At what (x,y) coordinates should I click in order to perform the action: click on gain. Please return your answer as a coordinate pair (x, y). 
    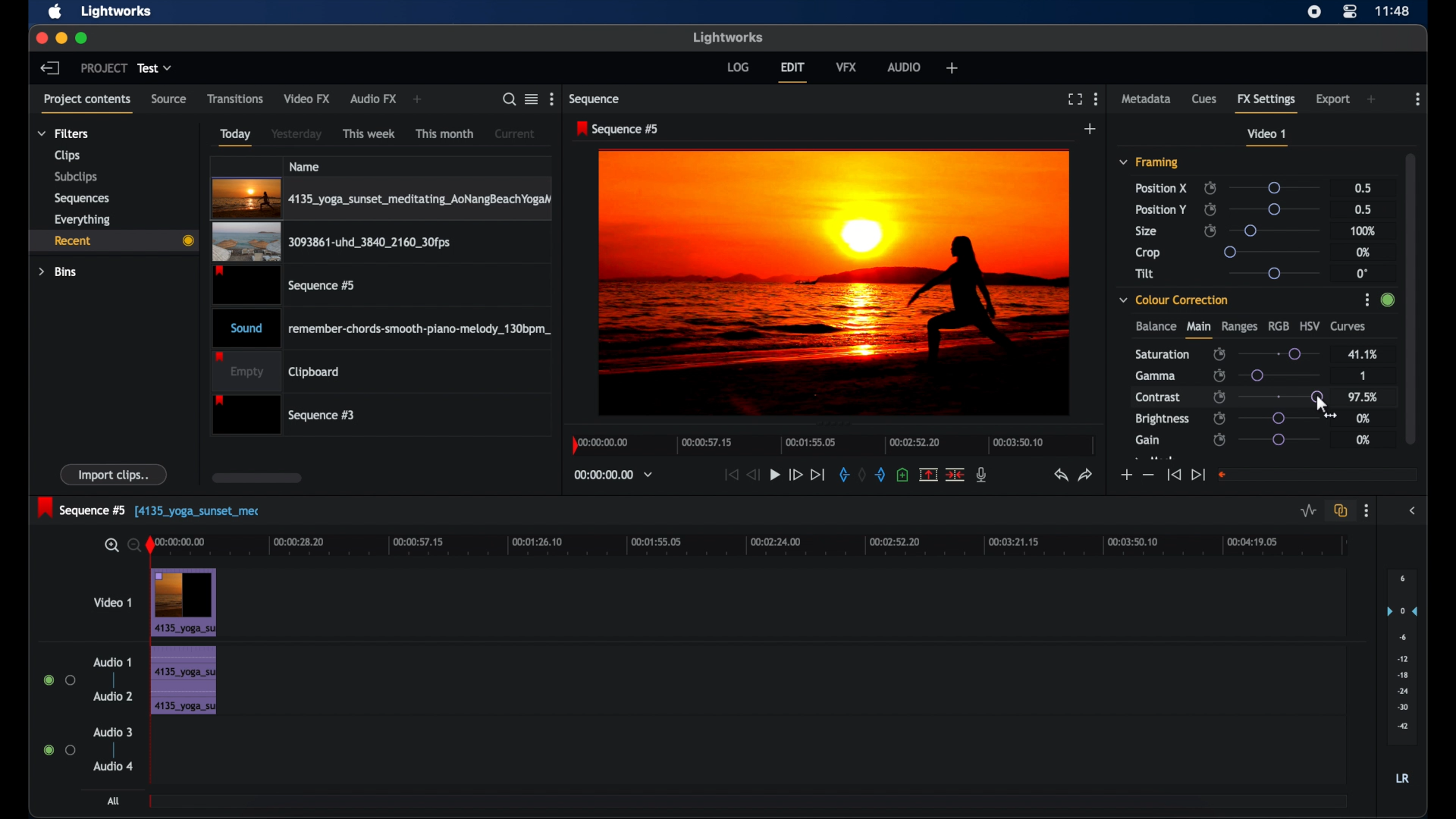
    Looking at the image, I should click on (1147, 440).